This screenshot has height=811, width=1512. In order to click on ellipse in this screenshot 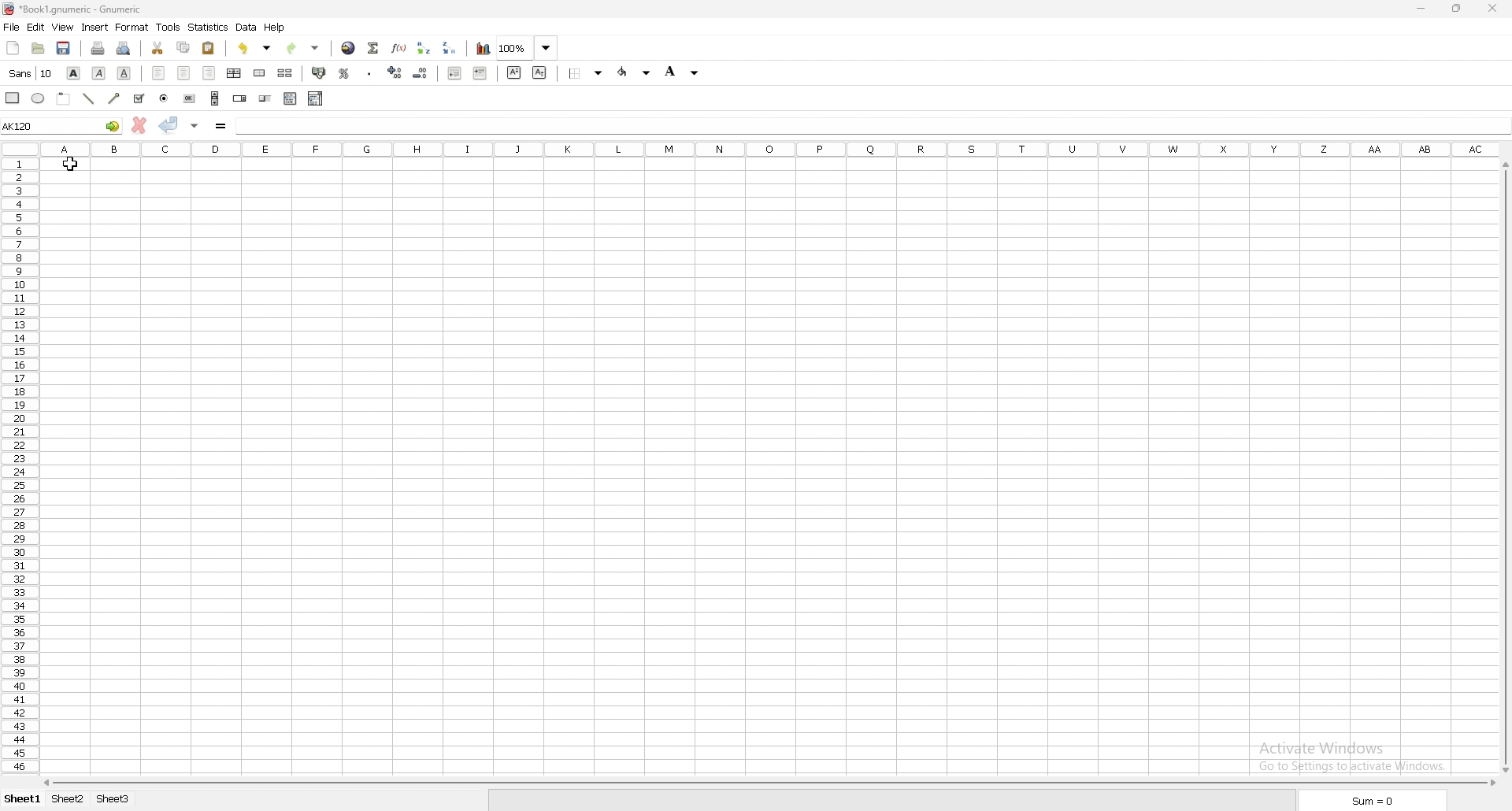, I will do `click(37, 98)`.